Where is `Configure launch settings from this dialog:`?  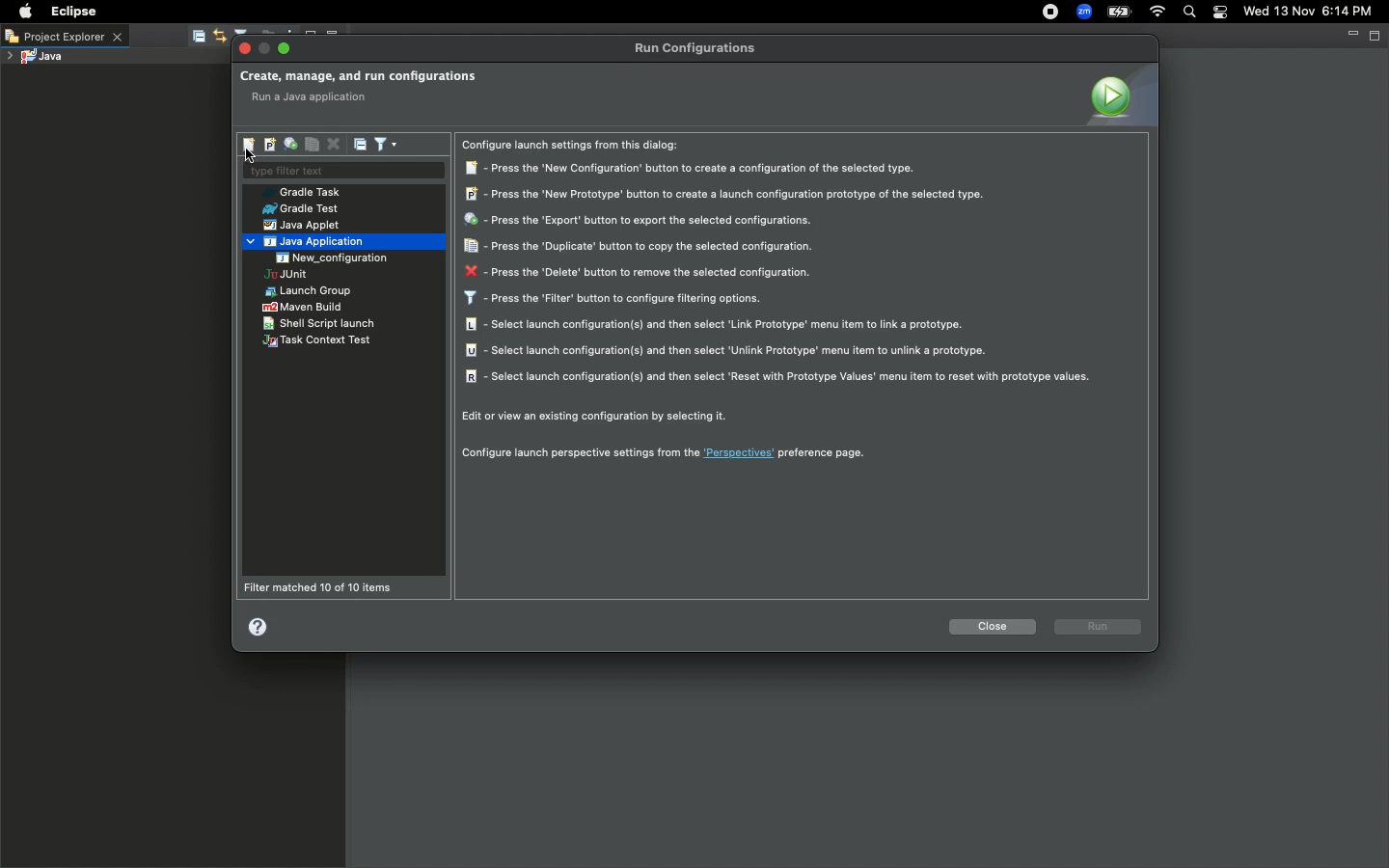
Configure launch settings from this dialog: is located at coordinates (578, 146).